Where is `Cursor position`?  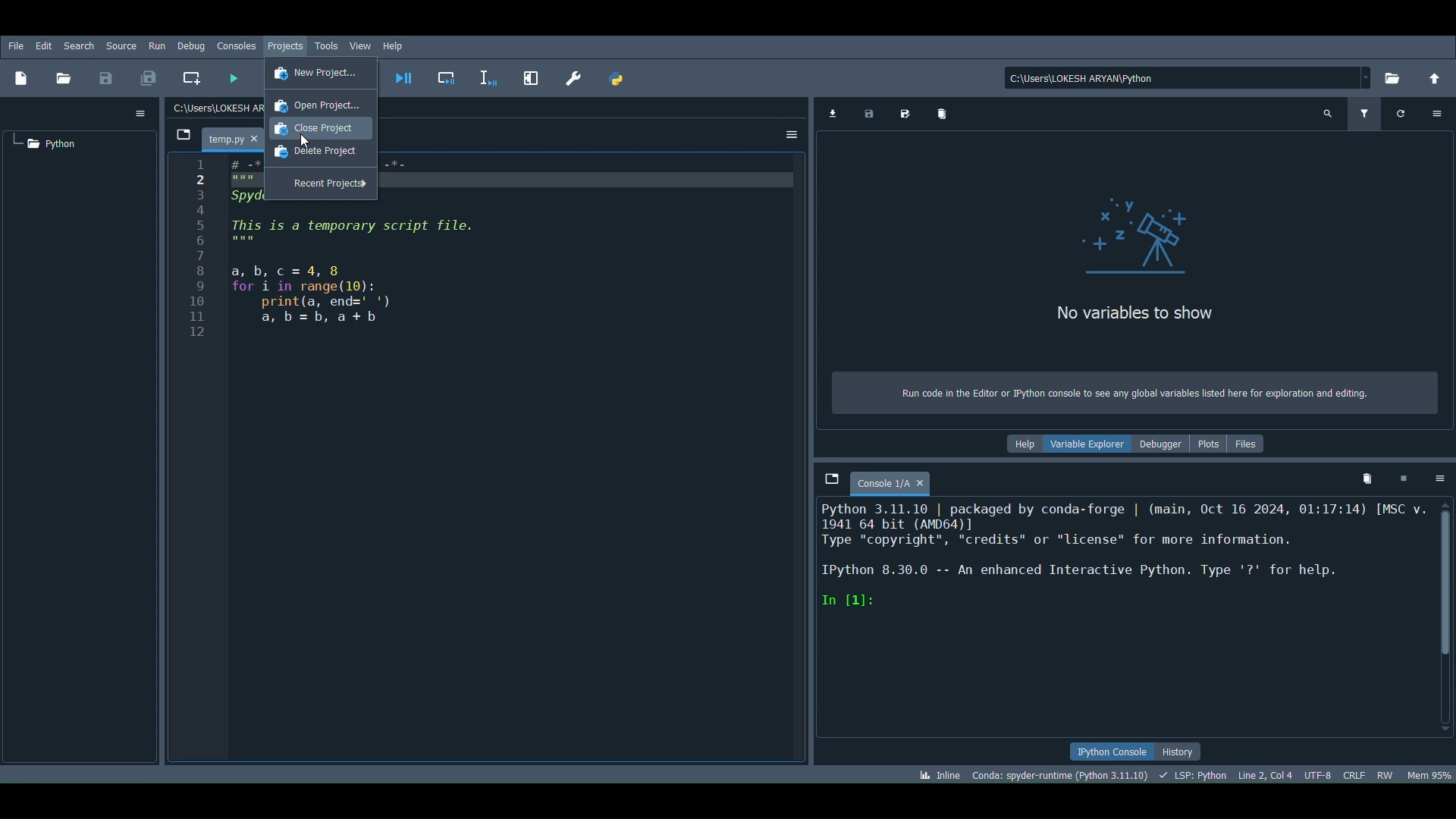
Cursor position is located at coordinates (1266, 772).